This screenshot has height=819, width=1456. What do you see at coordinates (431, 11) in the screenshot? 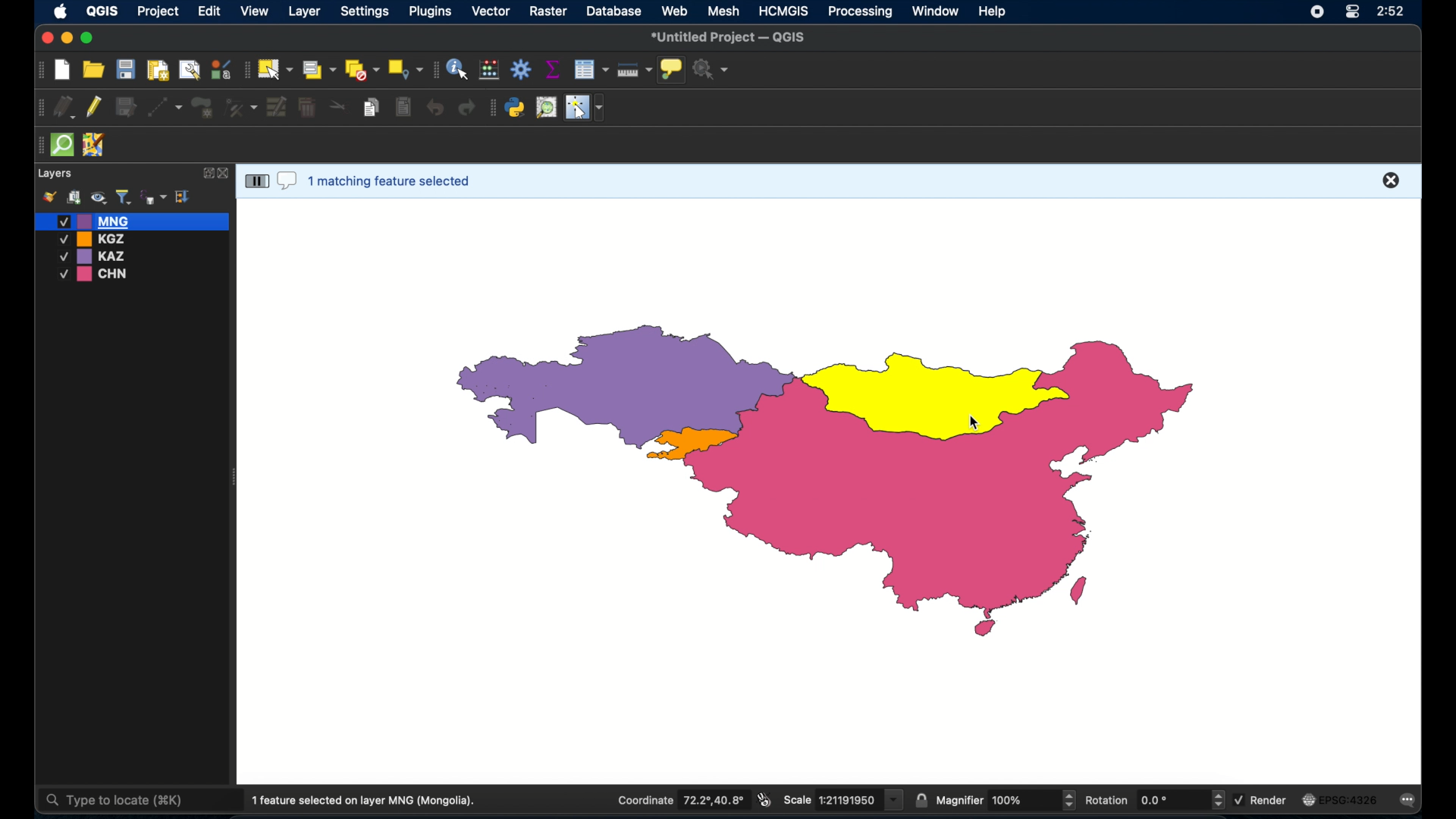
I see `plugins` at bounding box center [431, 11].